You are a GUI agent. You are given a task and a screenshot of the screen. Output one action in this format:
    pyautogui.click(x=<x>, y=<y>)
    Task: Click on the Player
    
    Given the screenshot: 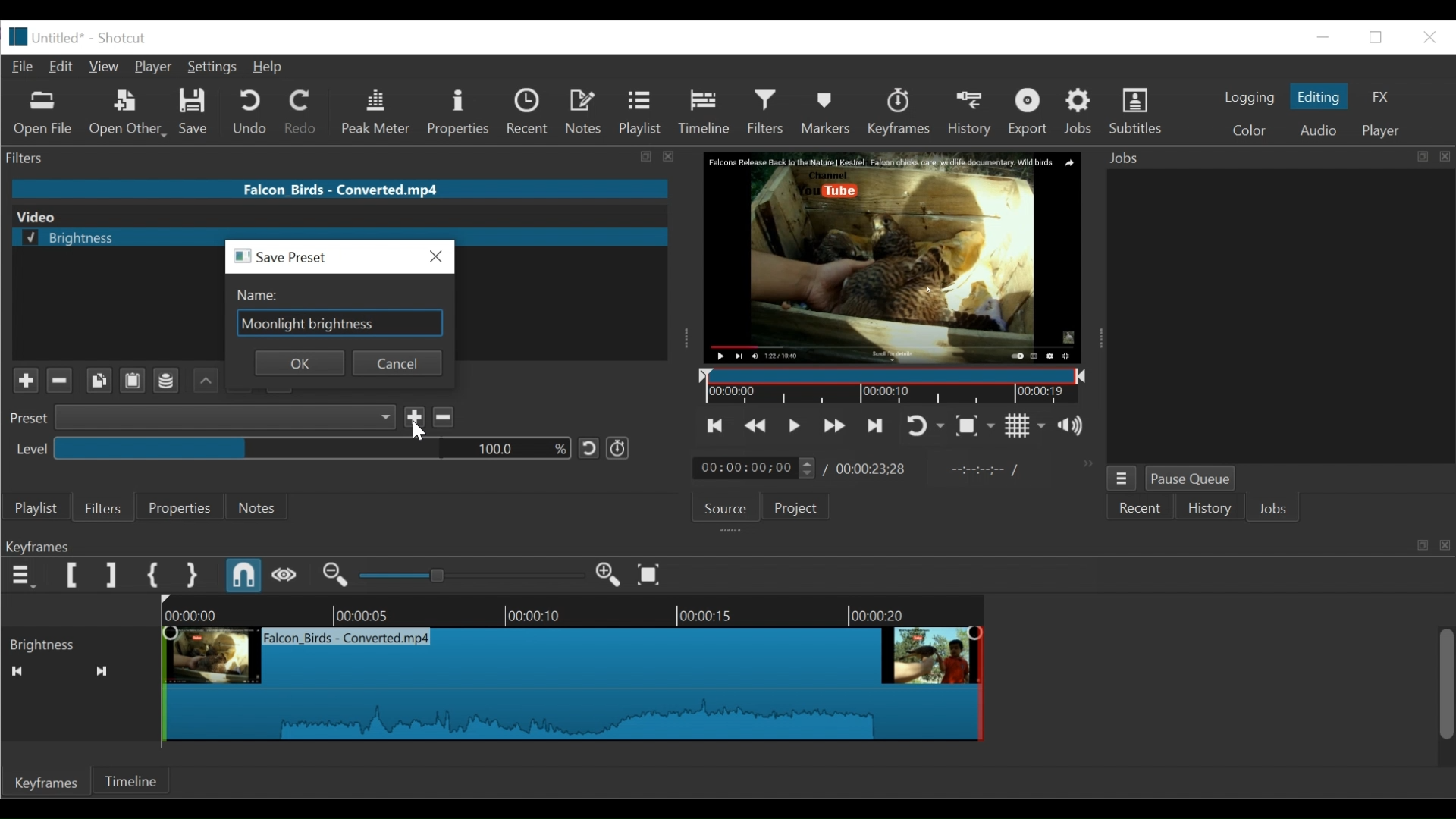 What is the action you would take?
    pyautogui.click(x=153, y=67)
    